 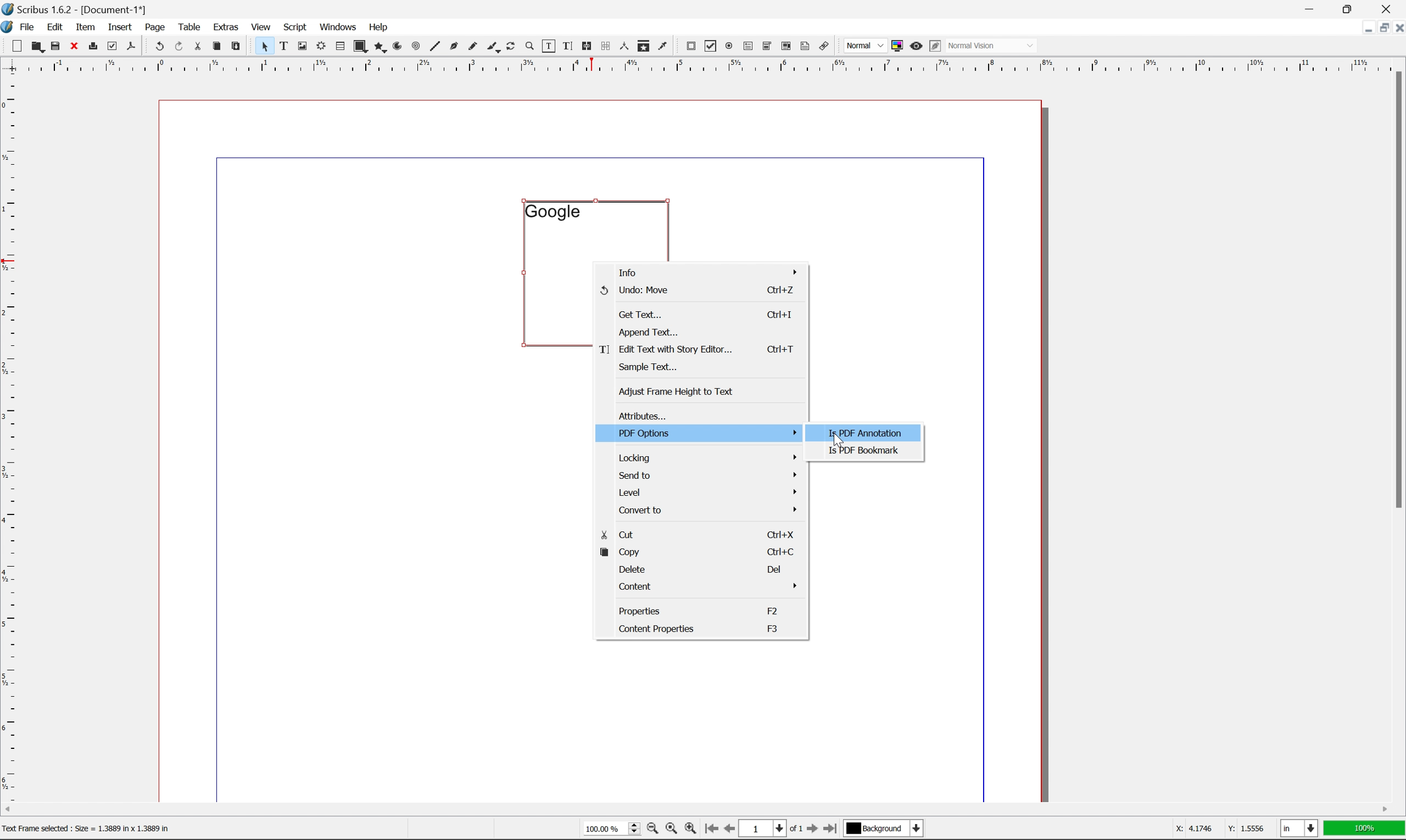 What do you see at coordinates (399, 46) in the screenshot?
I see `arc` at bounding box center [399, 46].